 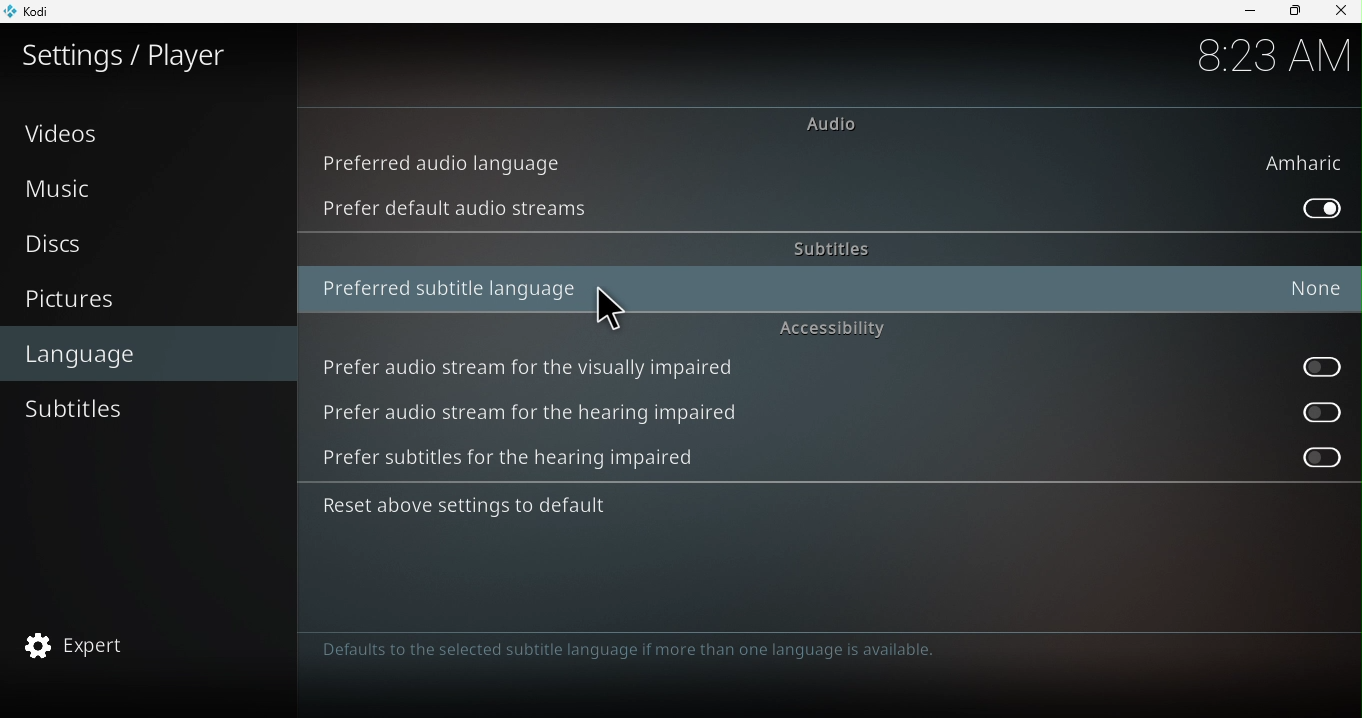 I want to click on Videos, so click(x=148, y=132).